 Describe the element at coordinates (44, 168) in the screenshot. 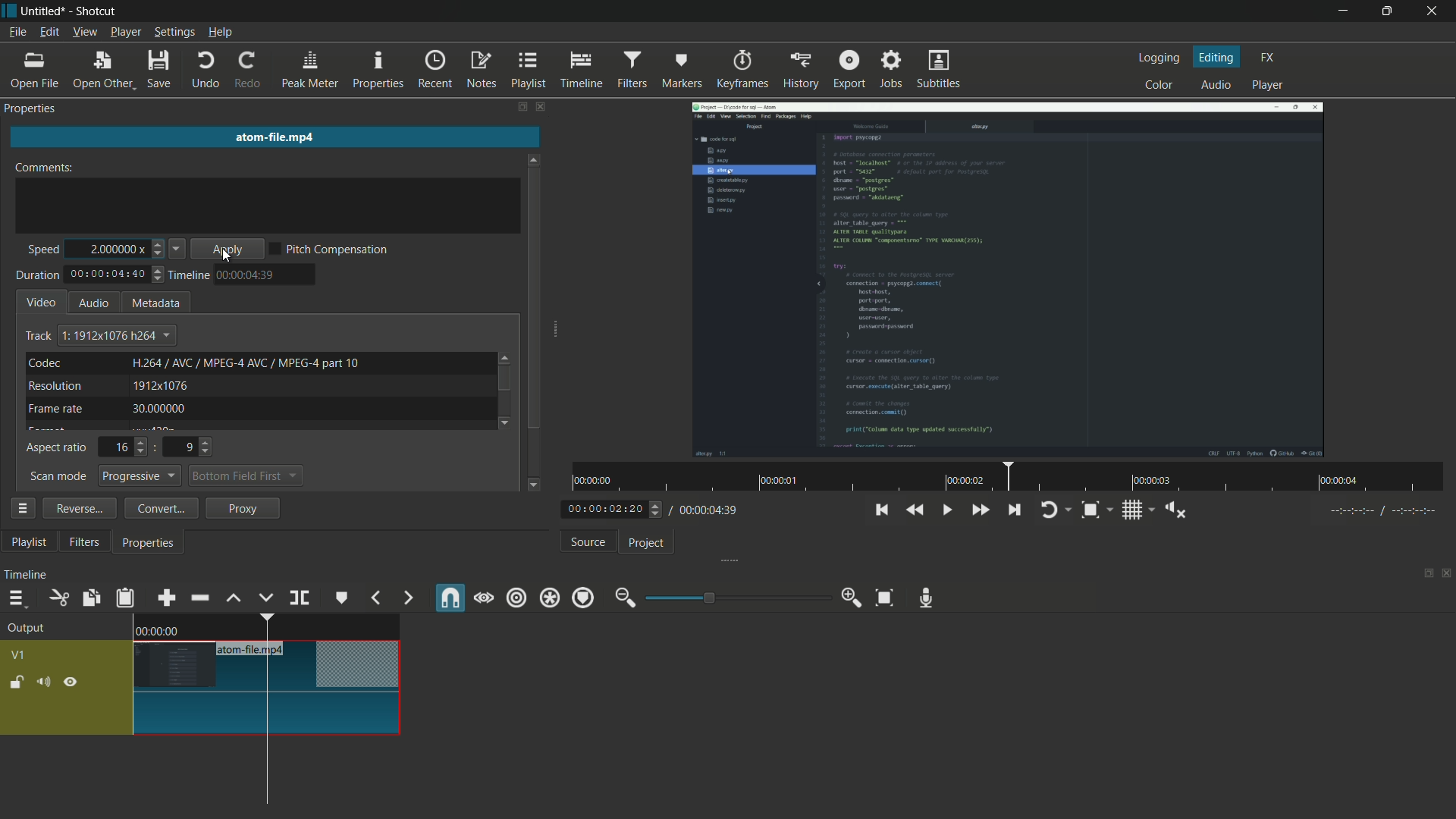

I see `comments` at that location.